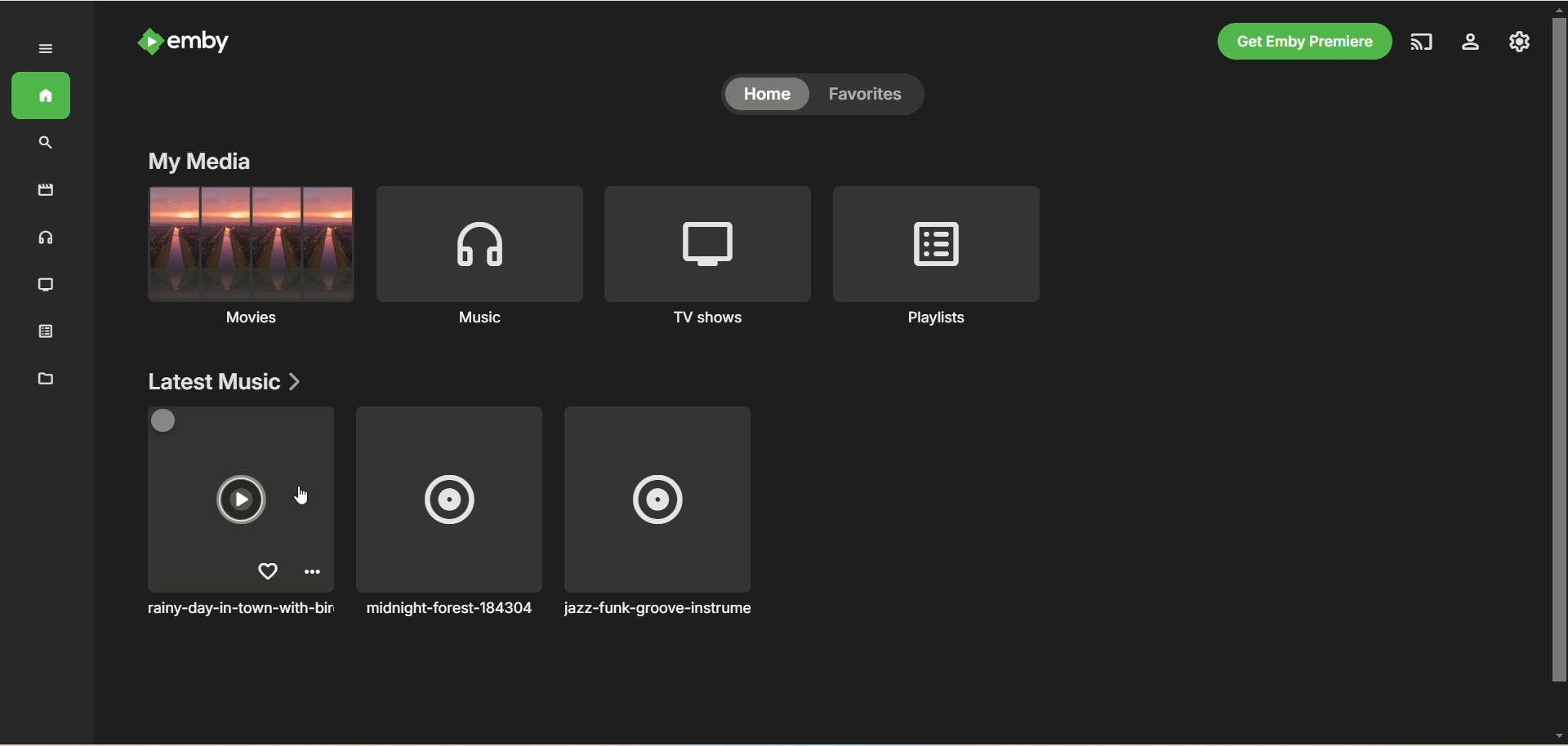  I want to click on Music, so click(478, 253).